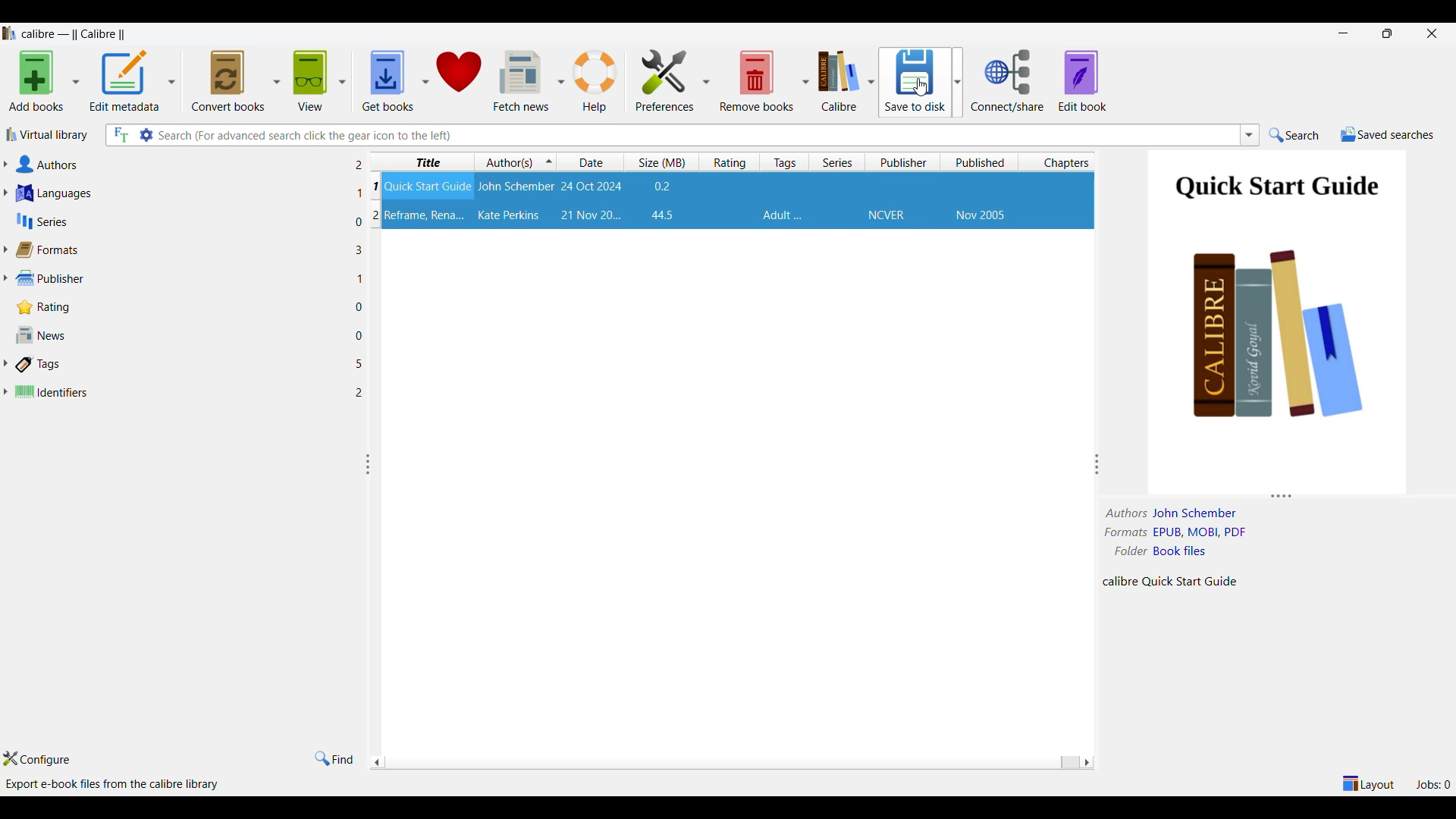 The height and width of the screenshot is (819, 1456). What do you see at coordinates (1100, 464) in the screenshot?
I see `Change width of panels attached to this line` at bounding box center [1100, 464].